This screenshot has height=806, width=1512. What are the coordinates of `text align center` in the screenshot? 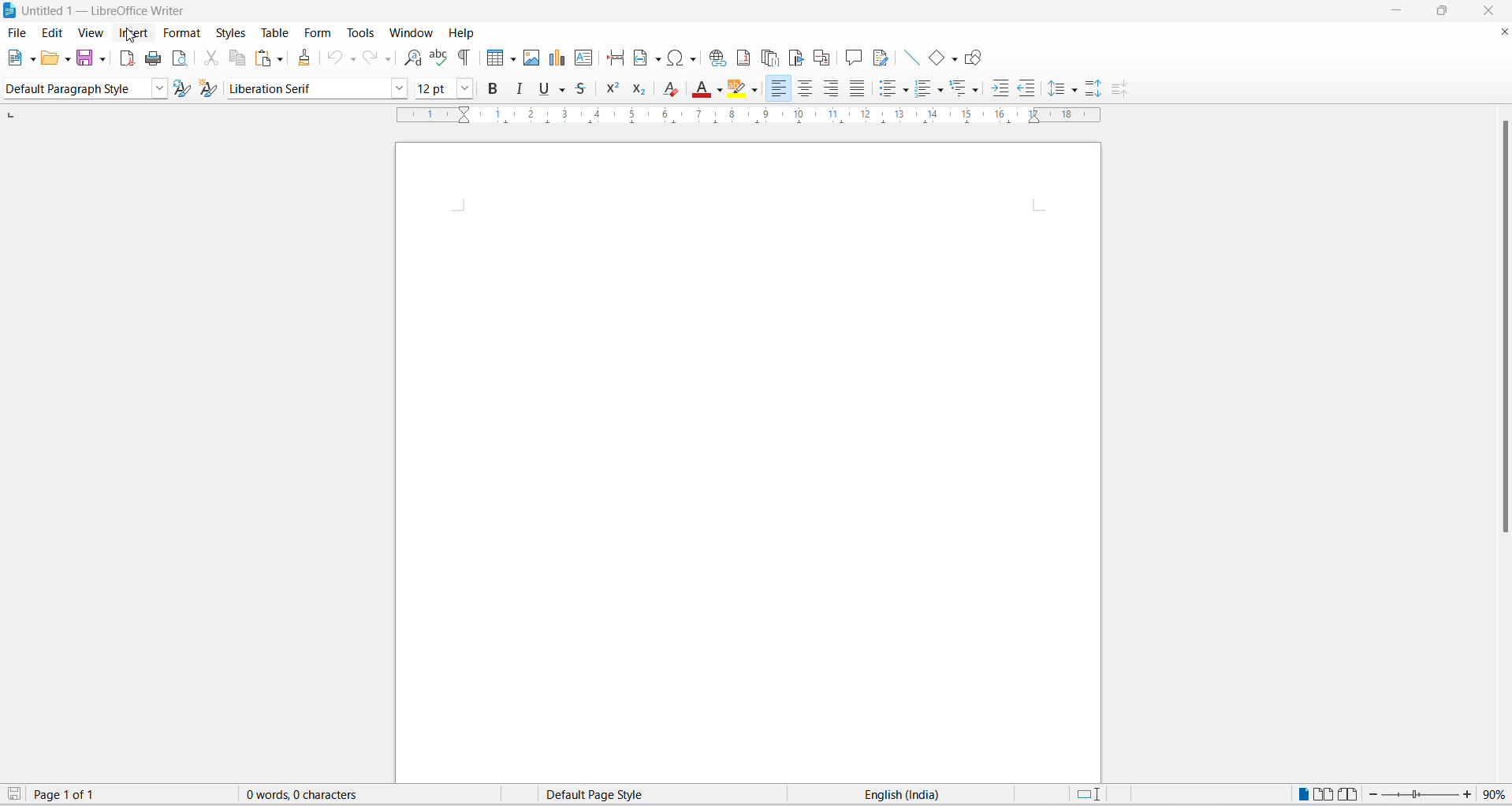 It's located at (832, 88).